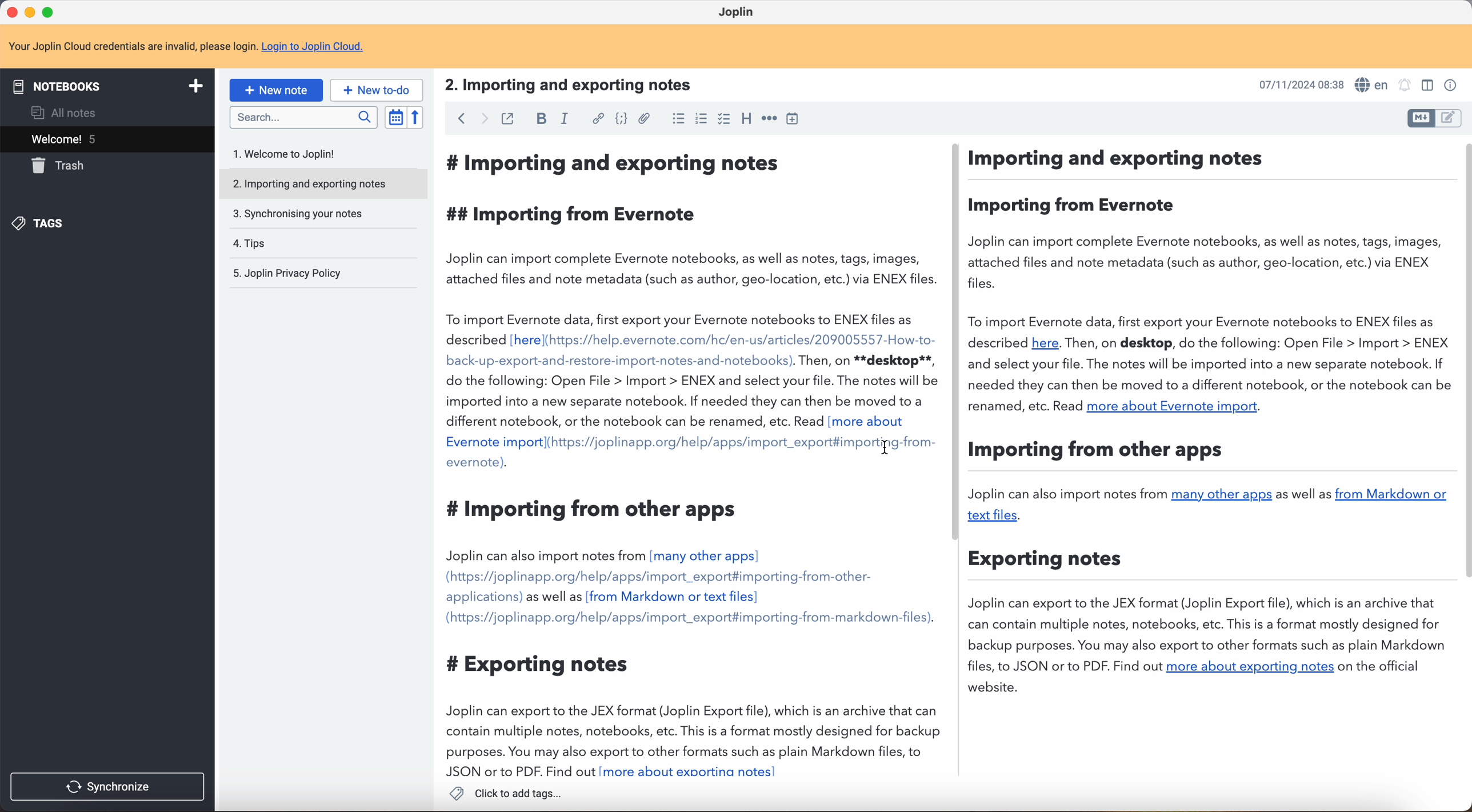 The height and width of the screenshot is (812, 1472). Describe the element at coordinates (700, 121) in the screenshot. I see `numbered list` at that location.